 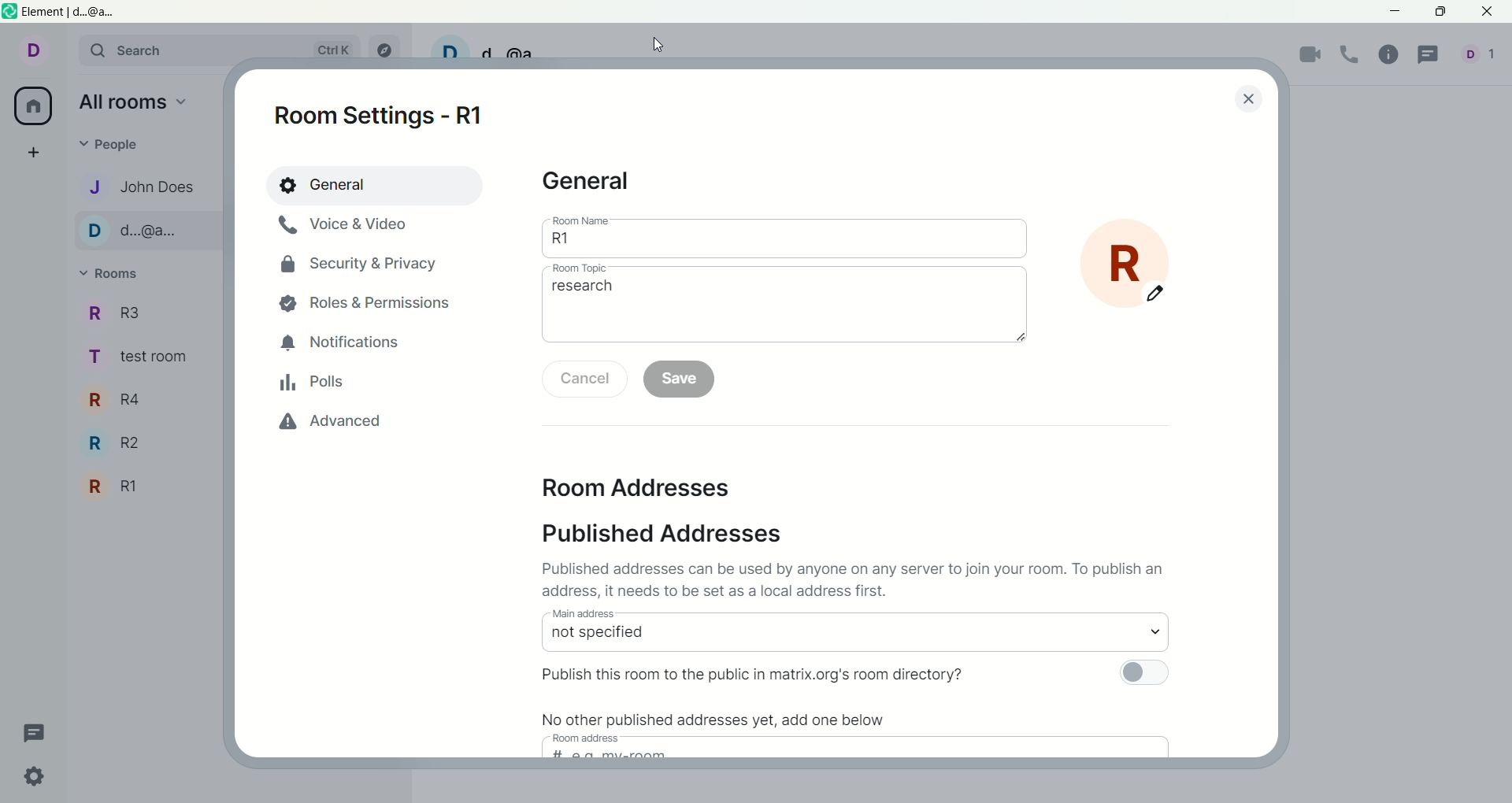 What do you see at coordinates (1439, 9) in the screenshot?
I see `maximize` at bounding box center [1439, 9].